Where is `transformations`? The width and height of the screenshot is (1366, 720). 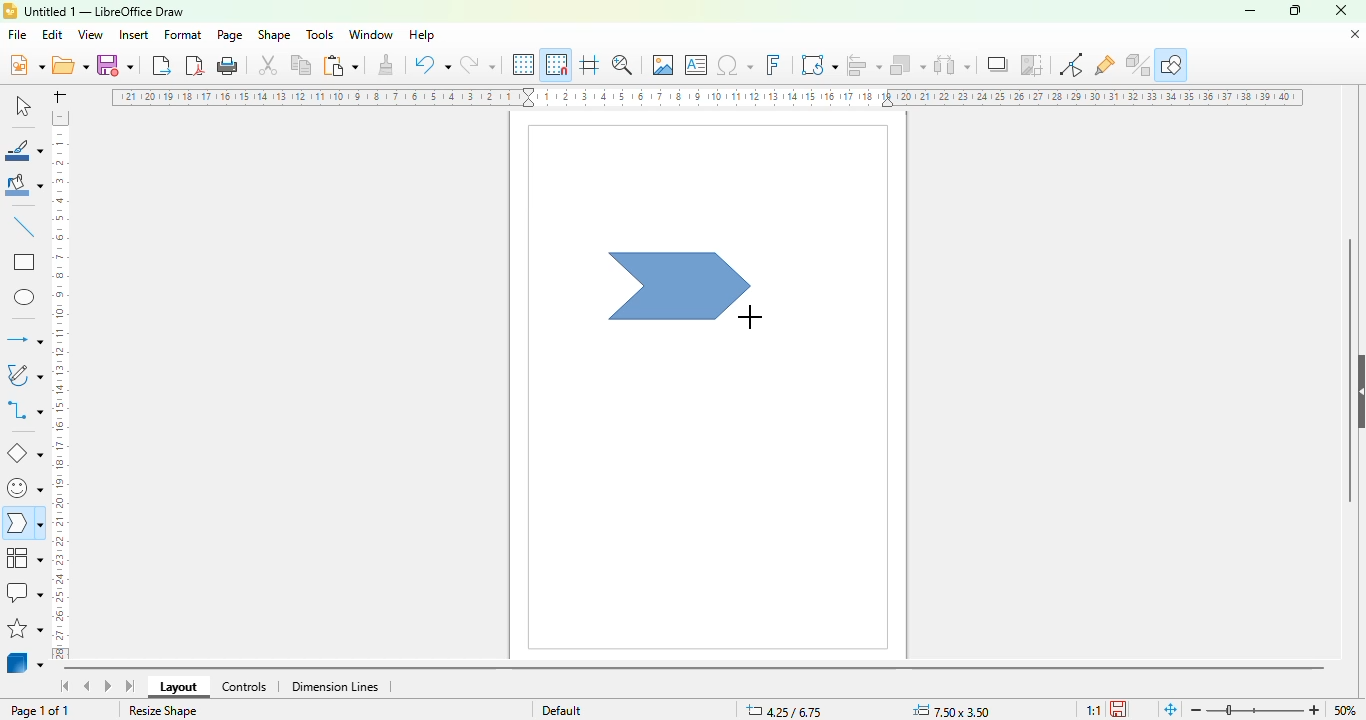 transformations is located at coordinates (819, 64).